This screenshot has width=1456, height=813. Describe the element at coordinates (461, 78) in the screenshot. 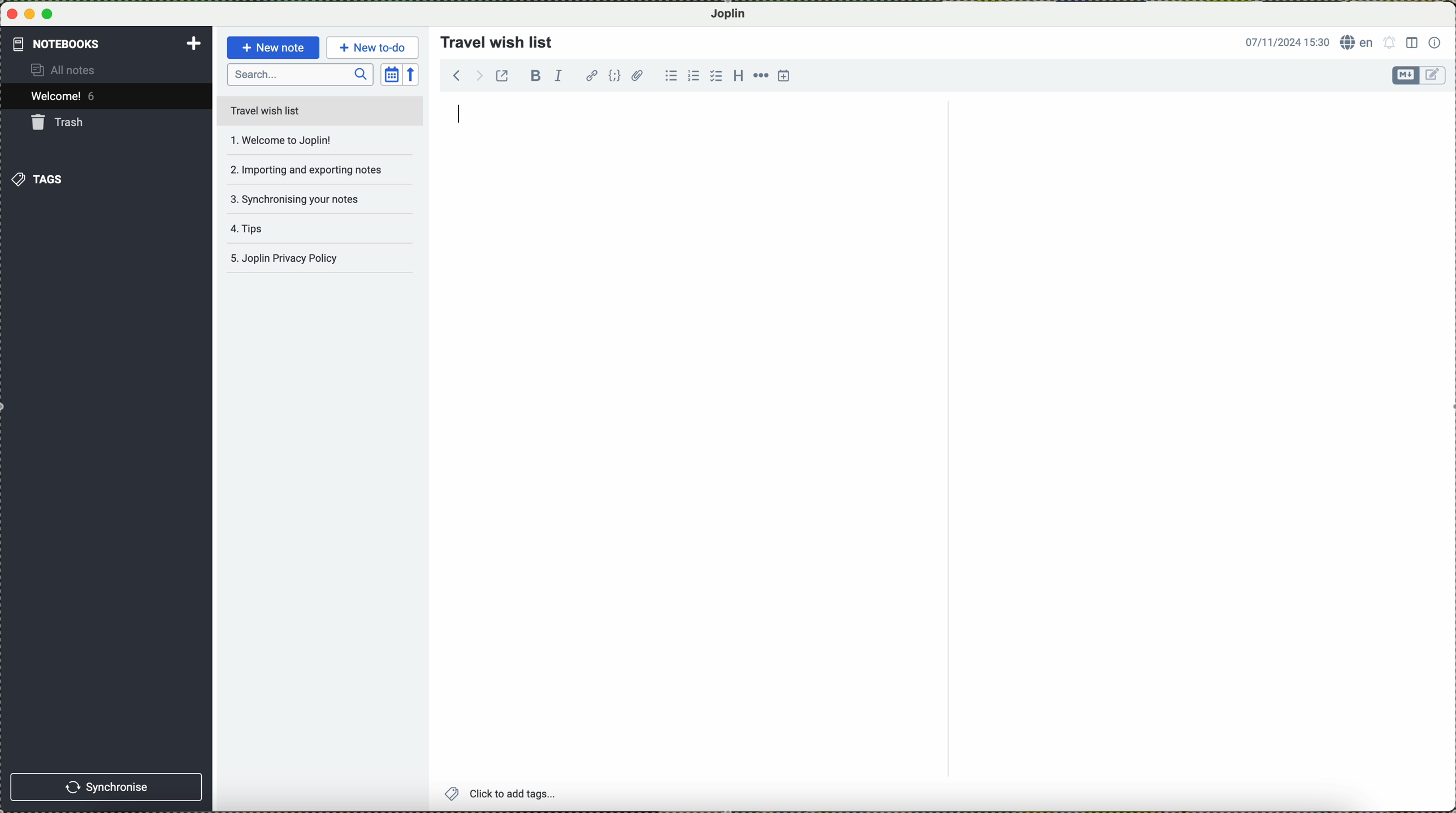

I see `navigate` at that location.